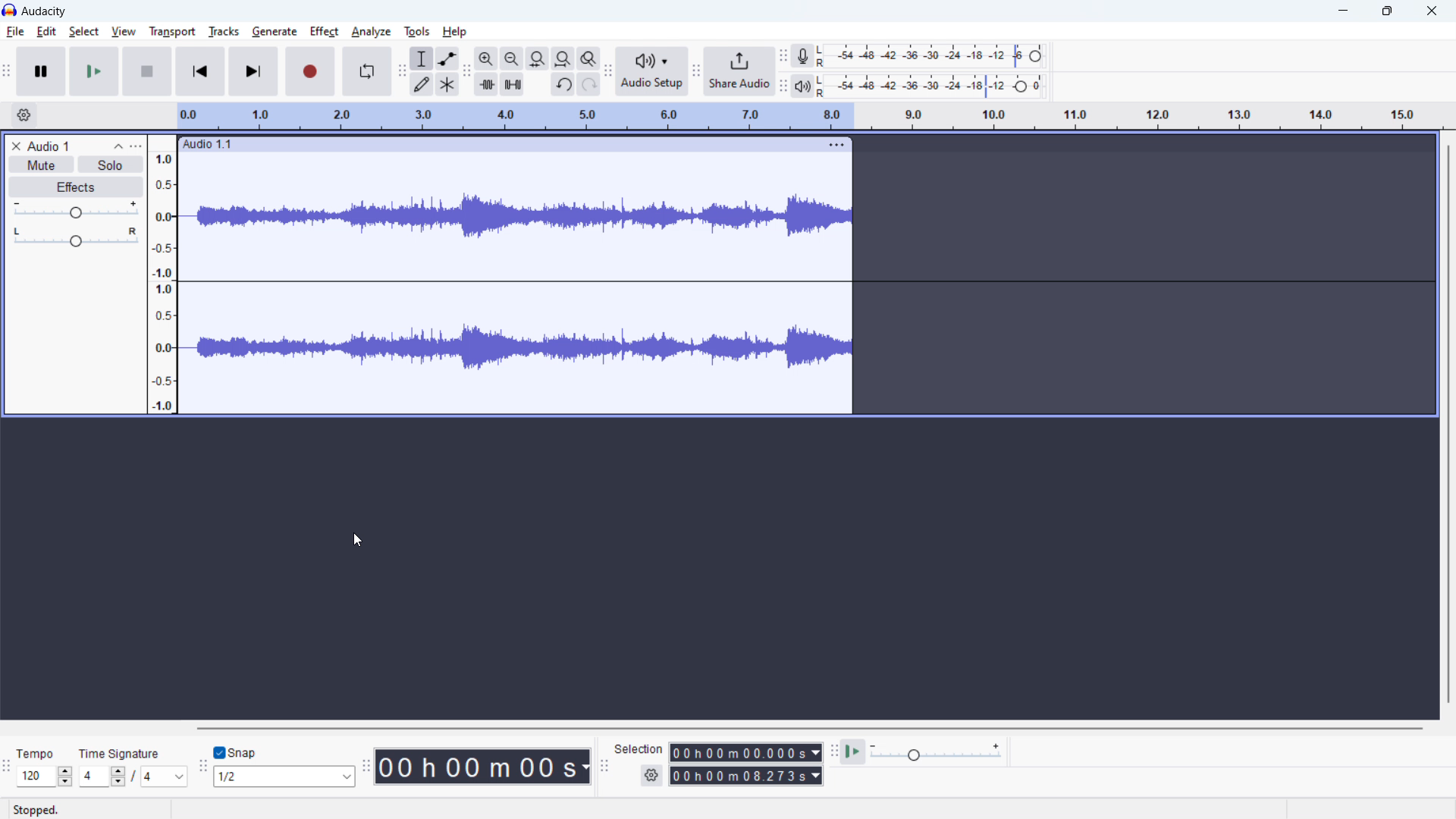 The height and width of the screenshot is (819, 1456). I want to click on maximize, so click(1387, 11).